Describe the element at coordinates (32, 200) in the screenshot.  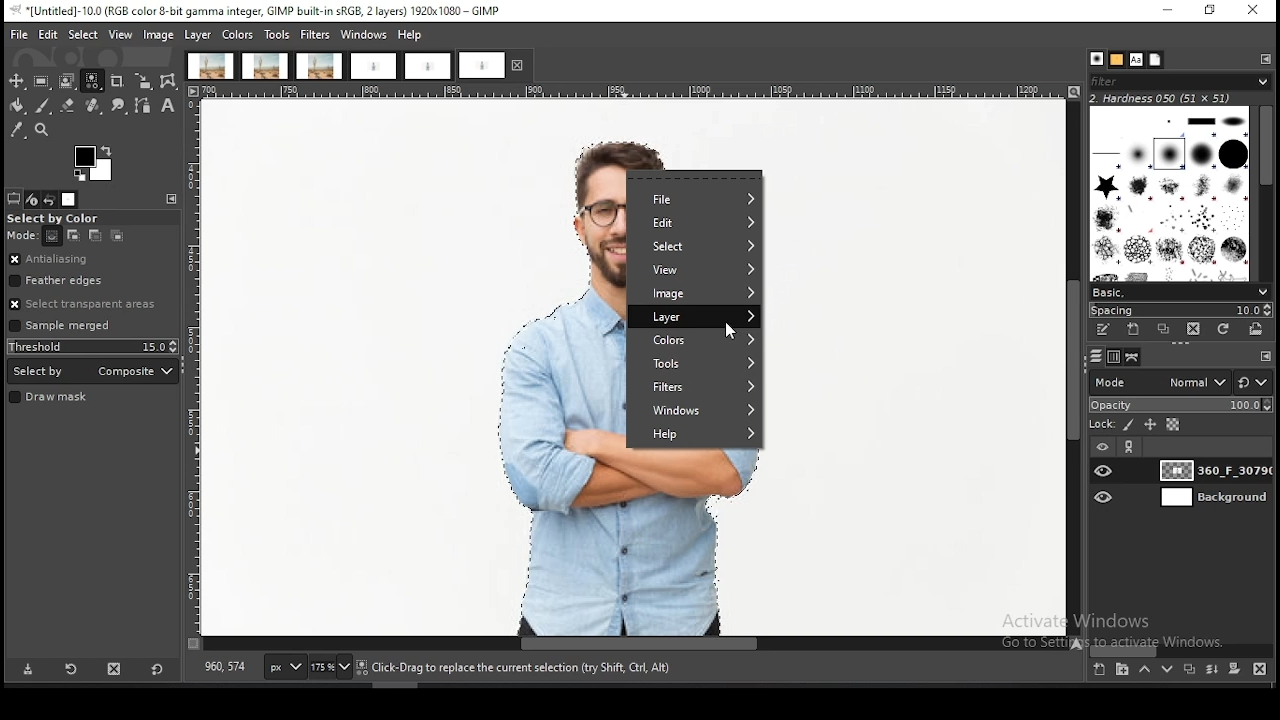
I see `device status` at that location.